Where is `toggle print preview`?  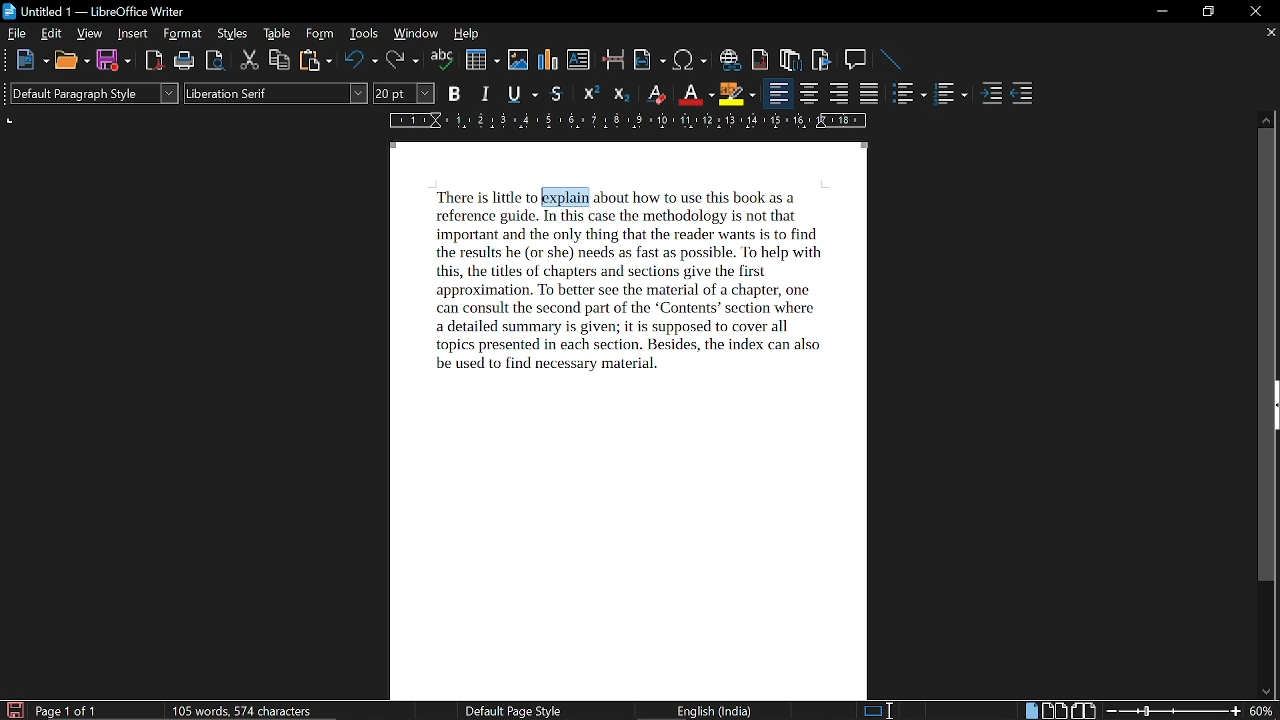
toggle print preview is located at coordinates (216, 62).